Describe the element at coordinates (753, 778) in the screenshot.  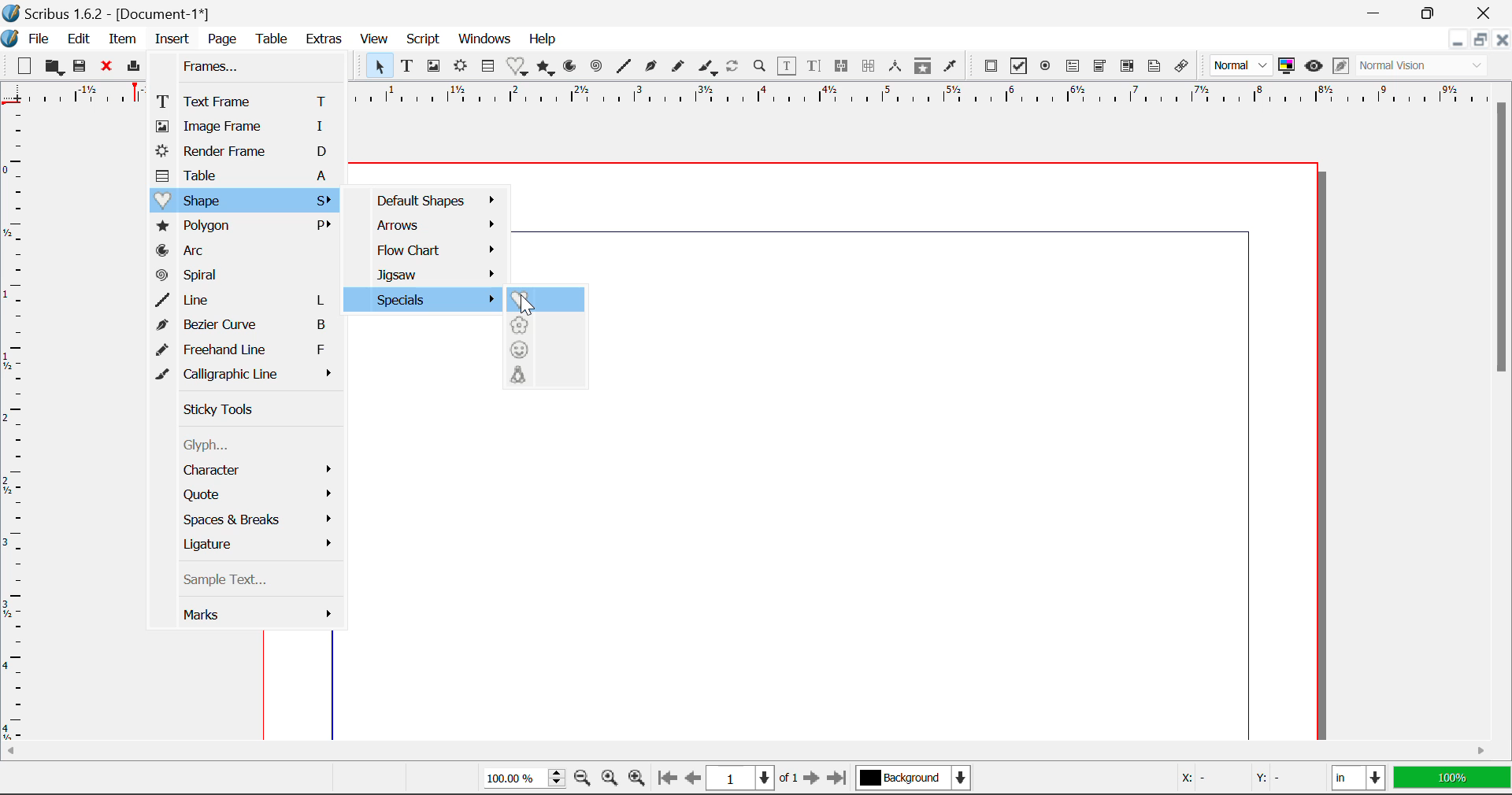
I see `1 of 1` at that location.